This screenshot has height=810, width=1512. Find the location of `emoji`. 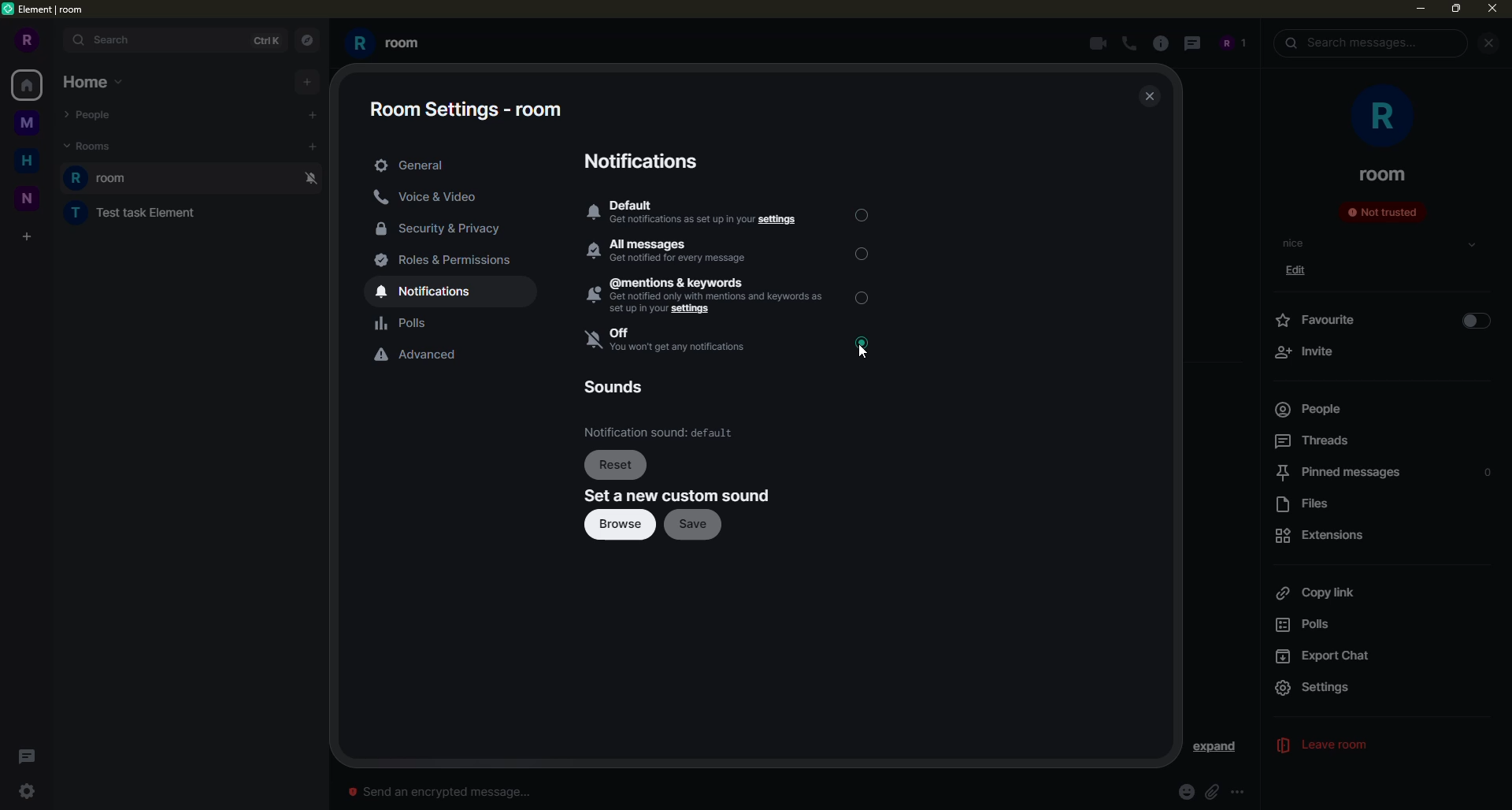

emoji is located at coordinates (1182, 791).